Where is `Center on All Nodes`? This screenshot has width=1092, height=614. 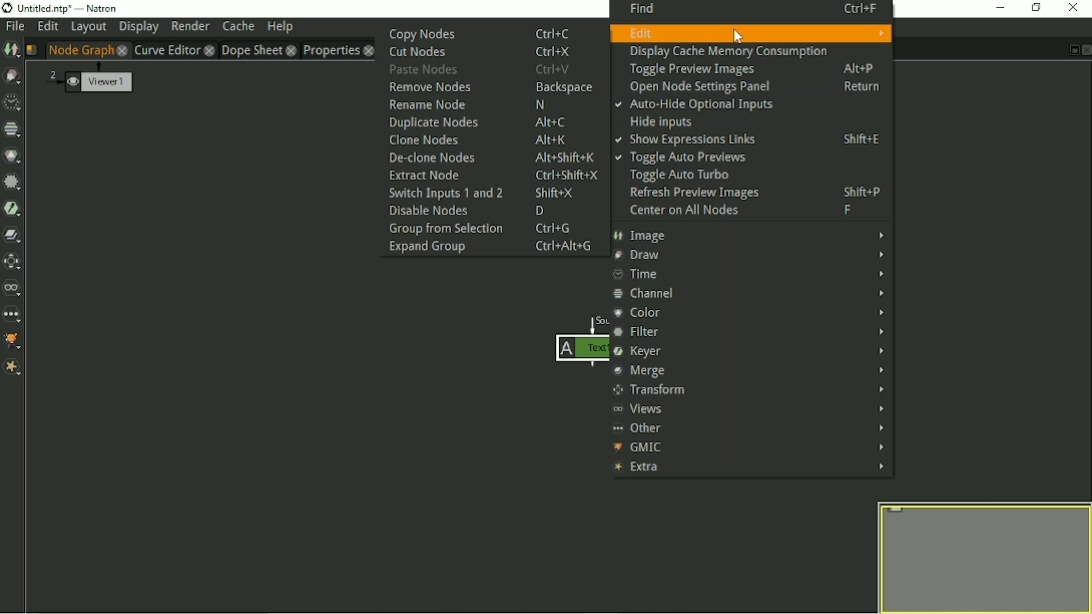
Center on All Nodes is located at coordinates (741, 211).